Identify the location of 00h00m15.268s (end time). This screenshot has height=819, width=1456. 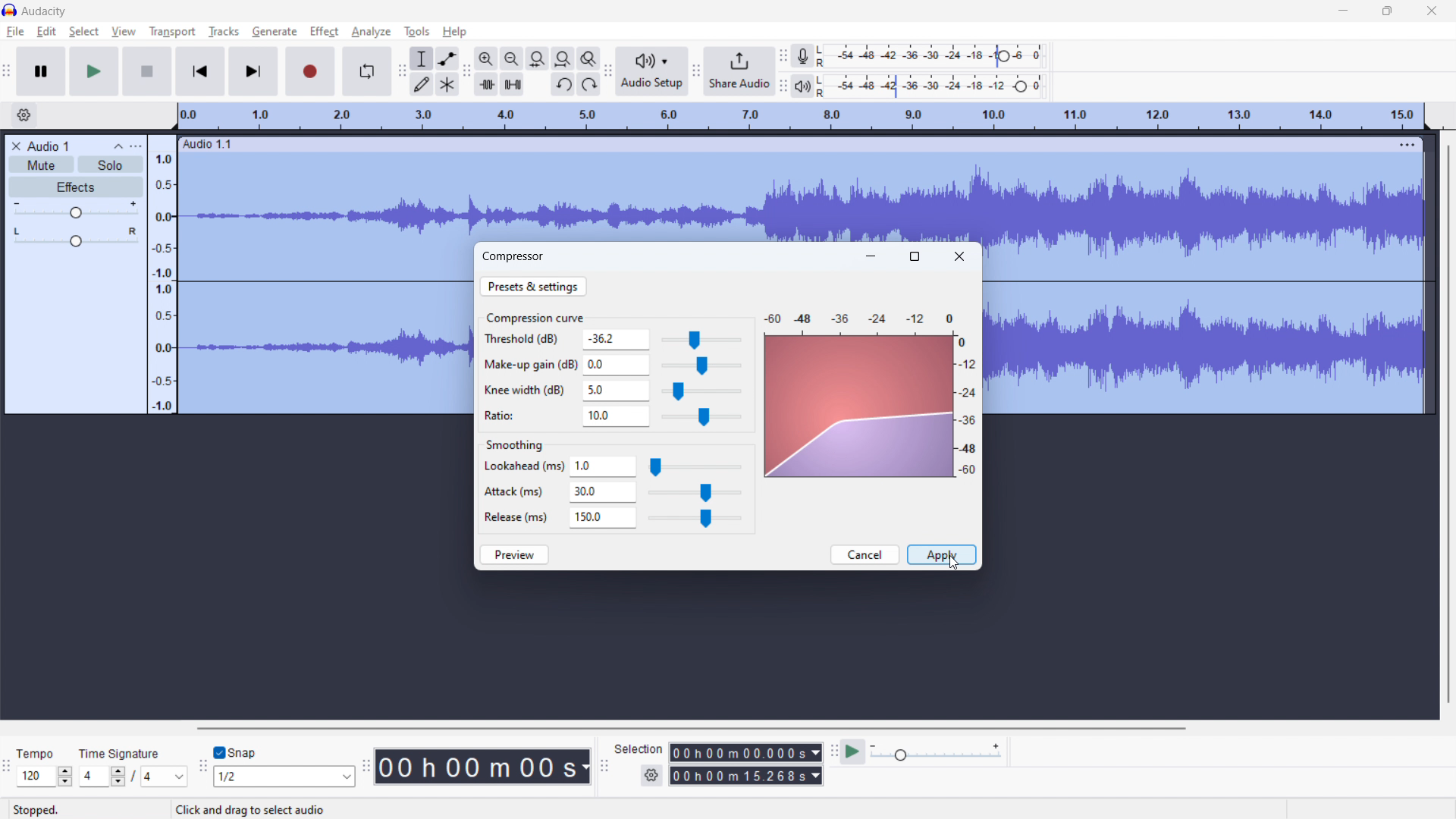
(746, 776).